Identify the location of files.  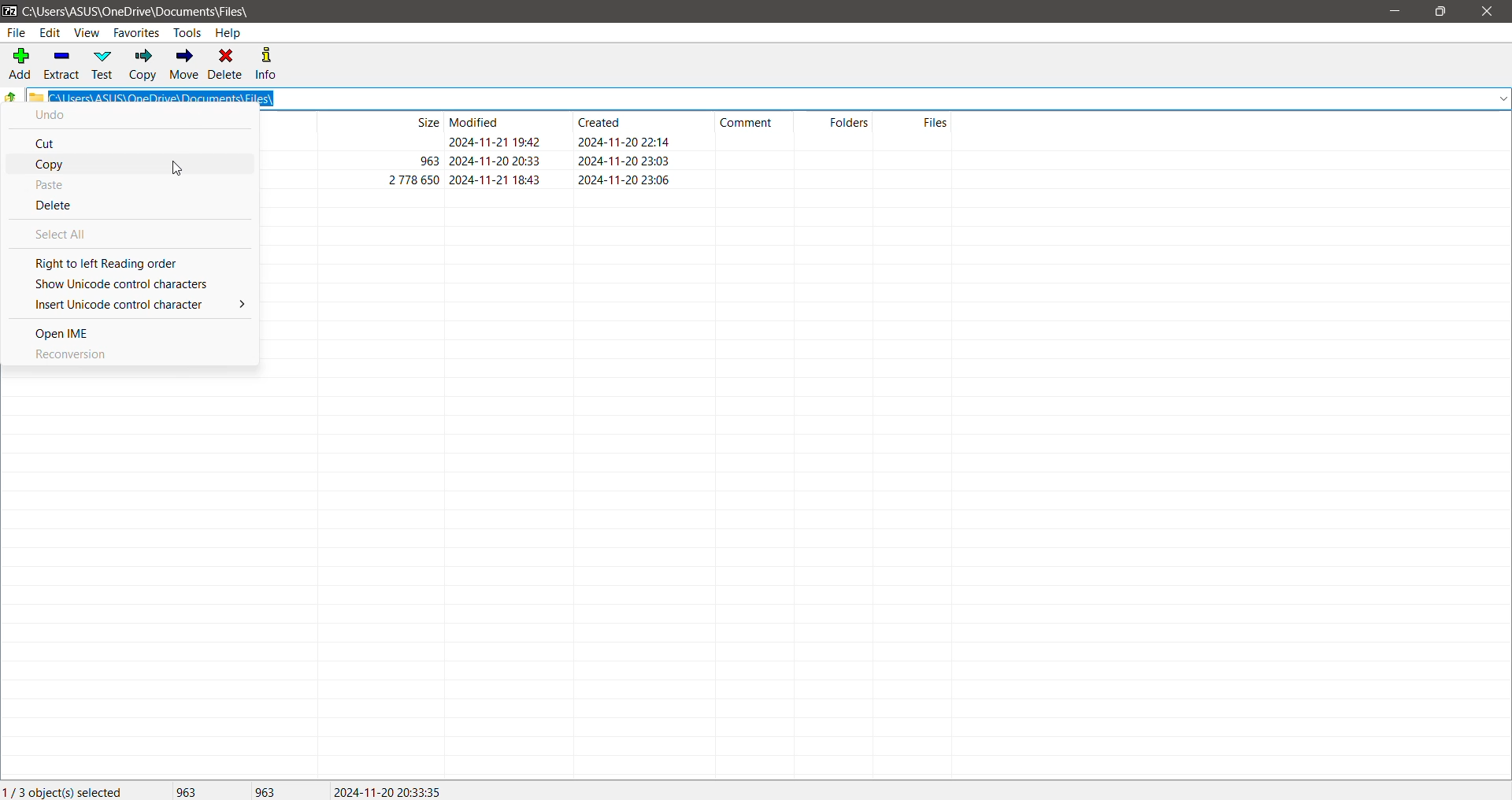
(936, 122).